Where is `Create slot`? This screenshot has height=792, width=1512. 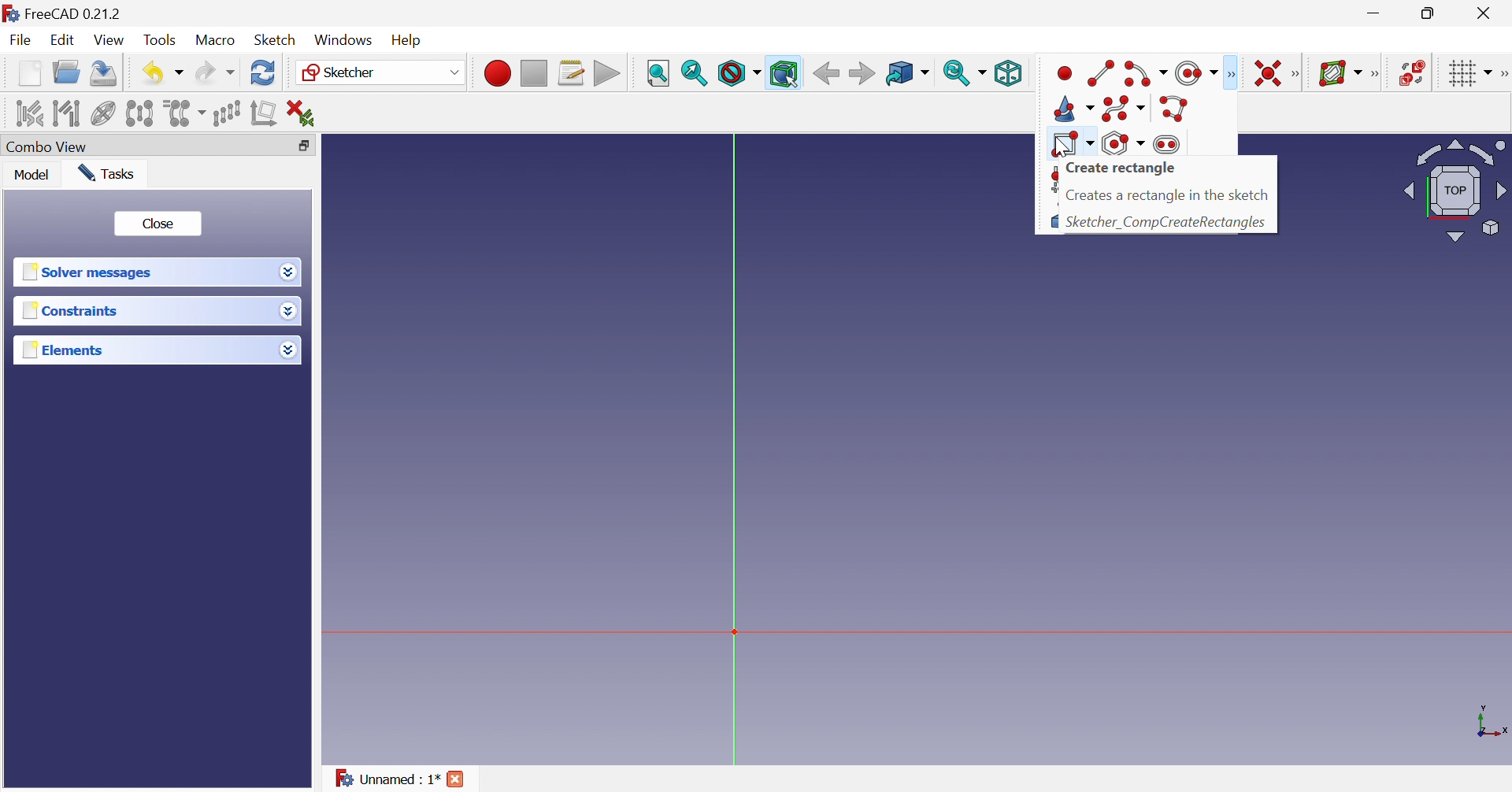 Create slot is located at coordinates (1169, 145).